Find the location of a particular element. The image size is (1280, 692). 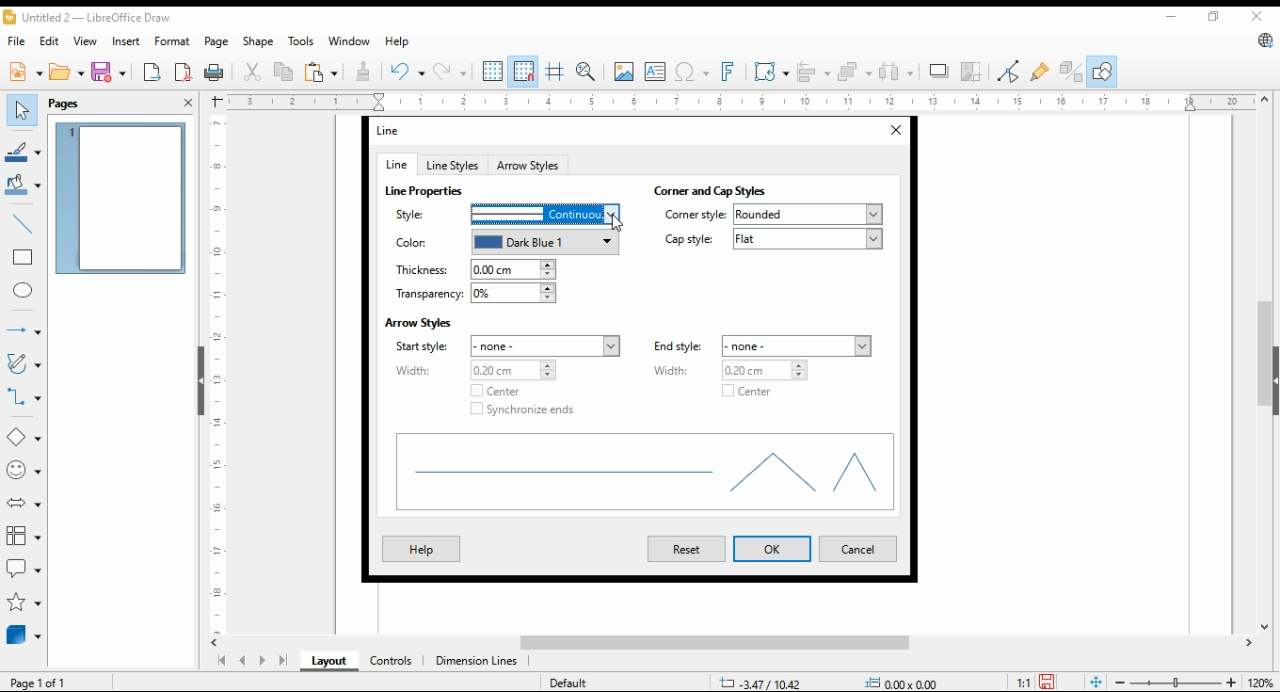

close pane is located at coordinates (189, 102).